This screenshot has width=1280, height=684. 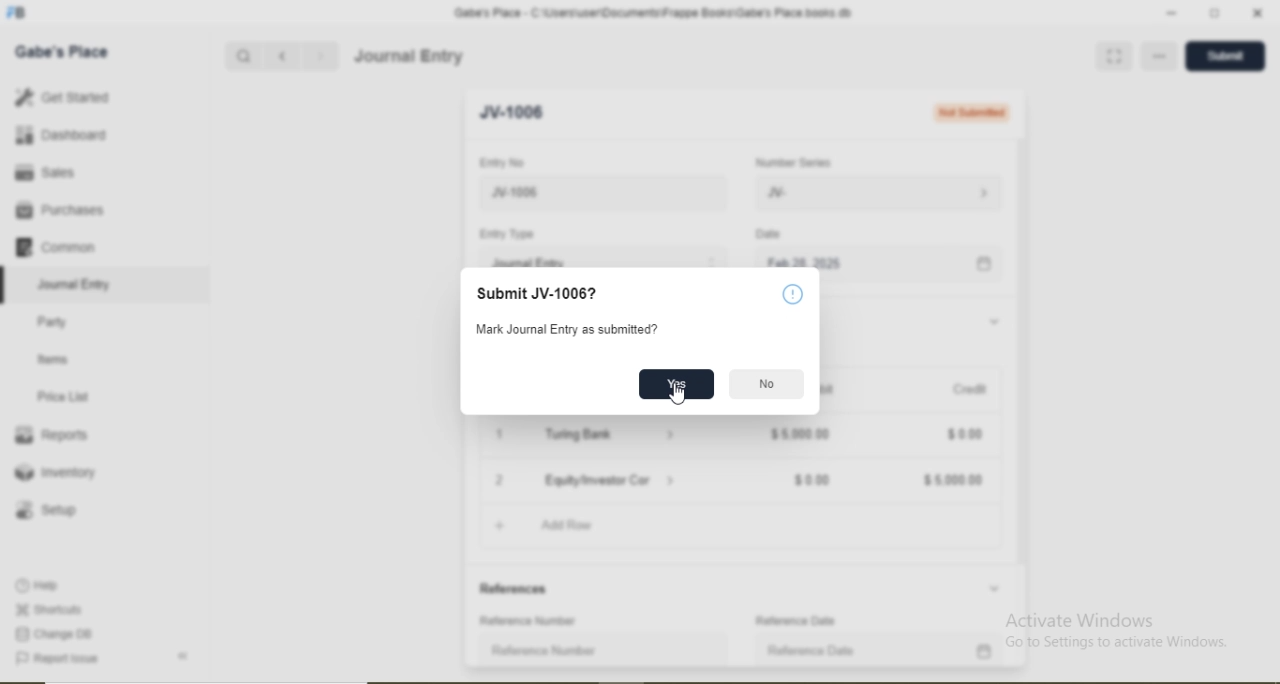 I want to click on Dashboard, so click(x=62, y=134).